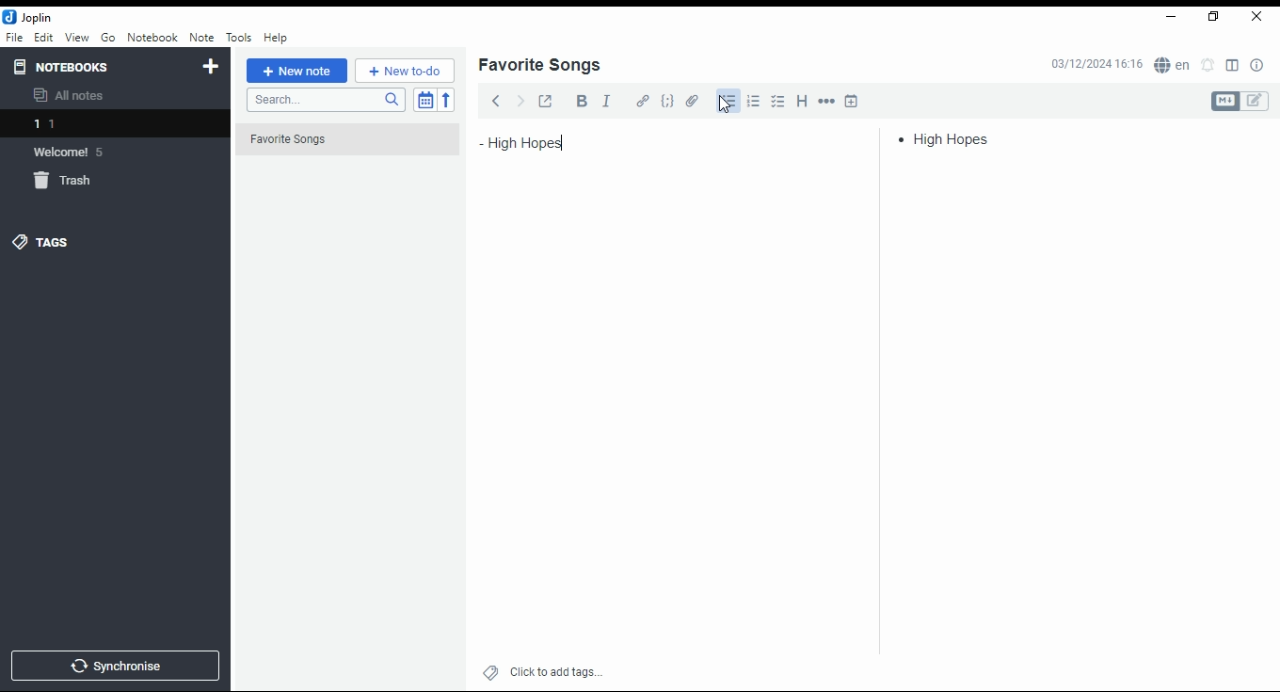 The height and width of the screenshot is (692, 1280). I want to click on notebooks, so click(97, 66).